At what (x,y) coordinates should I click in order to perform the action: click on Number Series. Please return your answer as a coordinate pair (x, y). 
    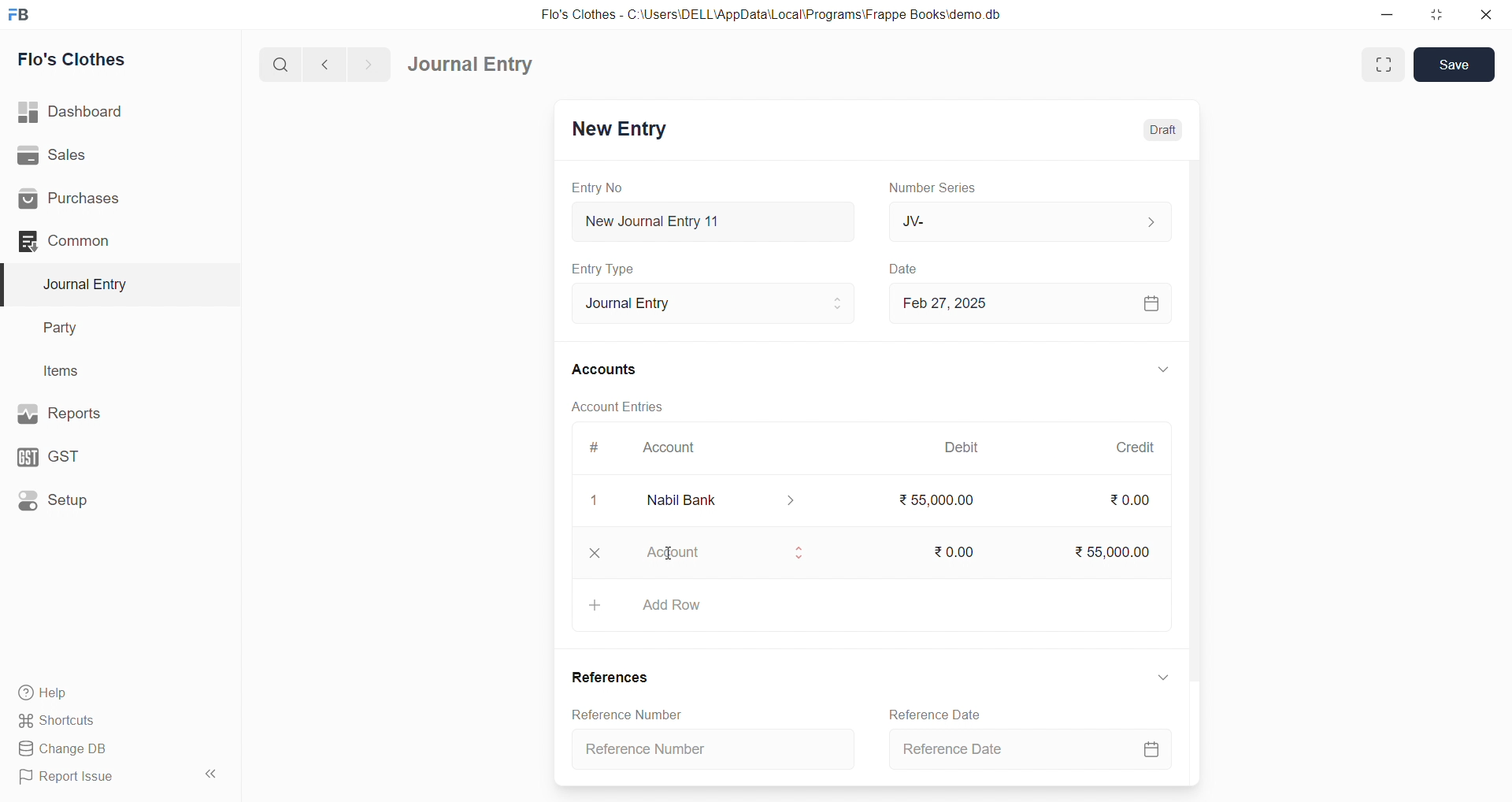
    Looking at the image, I should click on (939, 188).